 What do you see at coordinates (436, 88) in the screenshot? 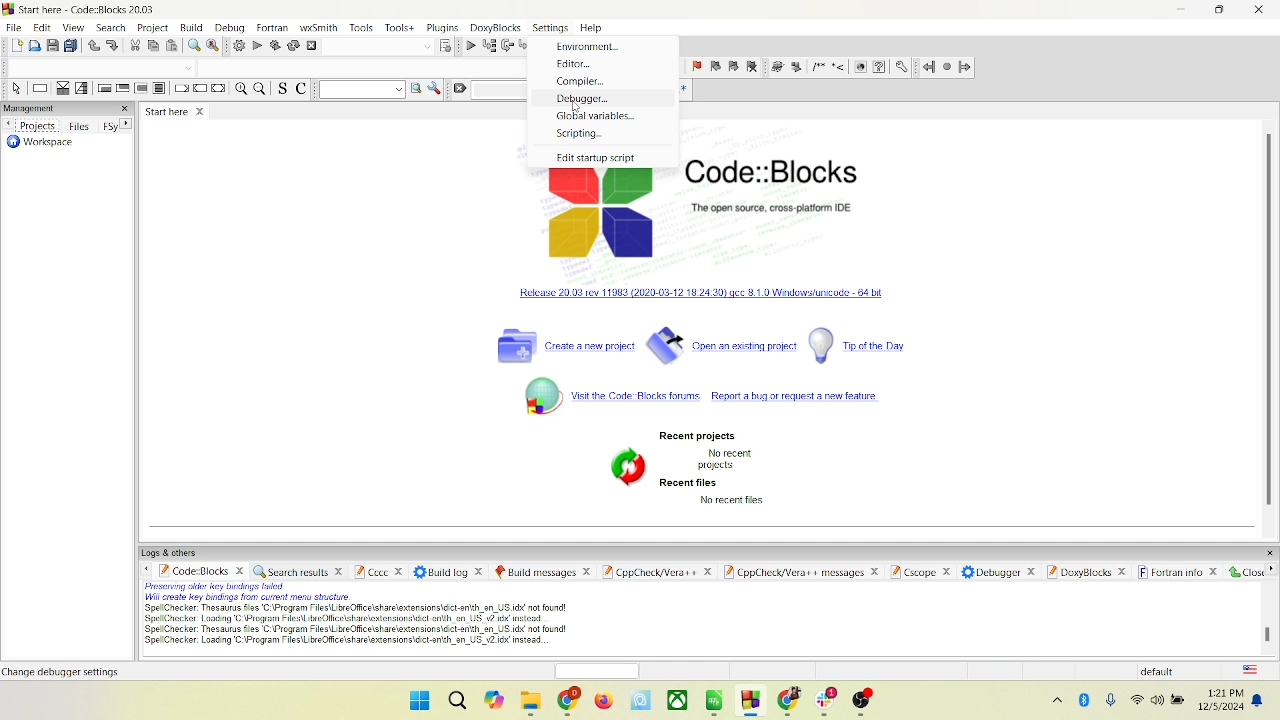
I see `option window` at bounding box center [436, 88].